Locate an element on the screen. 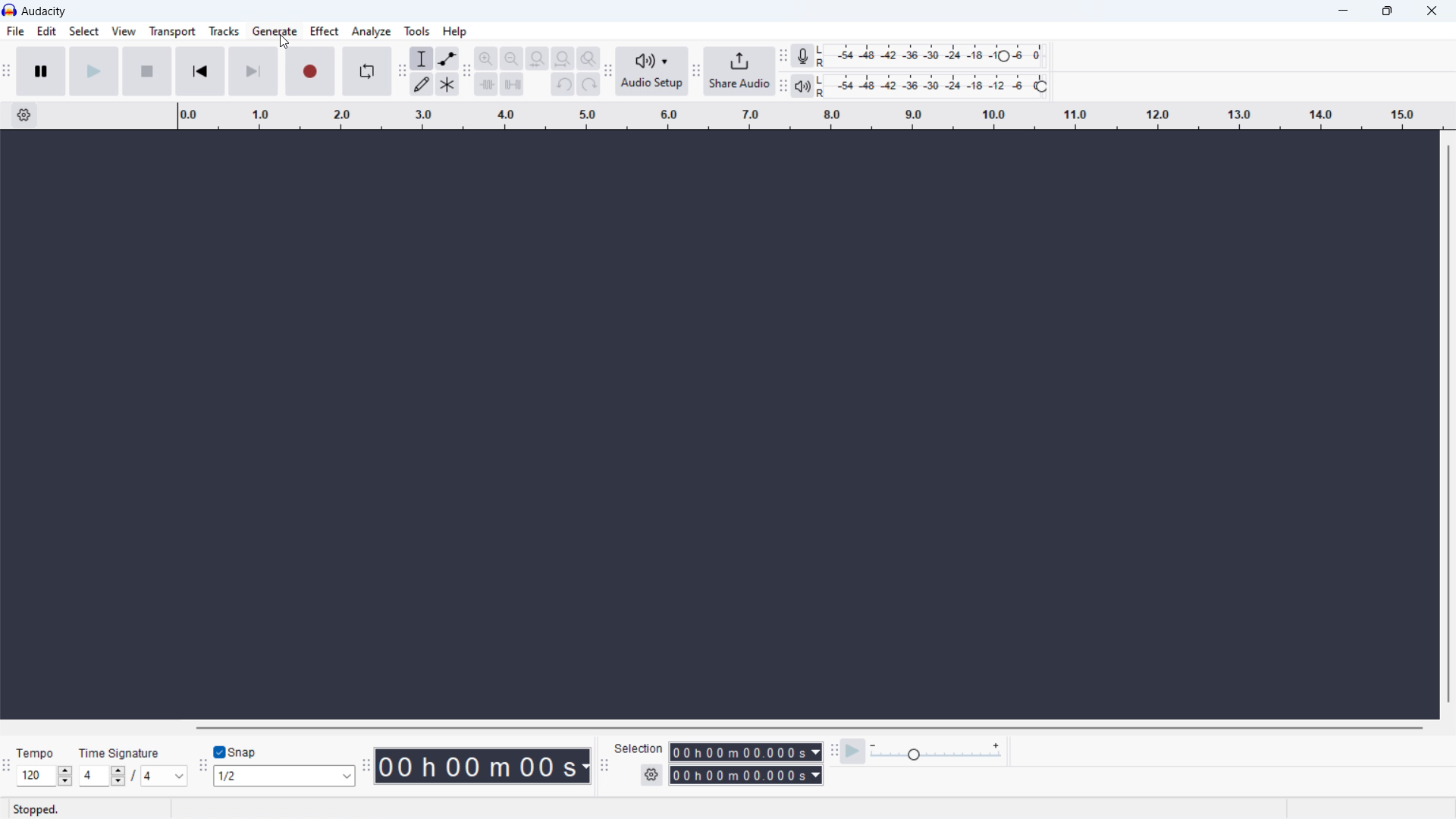 Image resolution: width=1456 pixels, height=819 pixels. select snapping is located at coordinates (284, 777).